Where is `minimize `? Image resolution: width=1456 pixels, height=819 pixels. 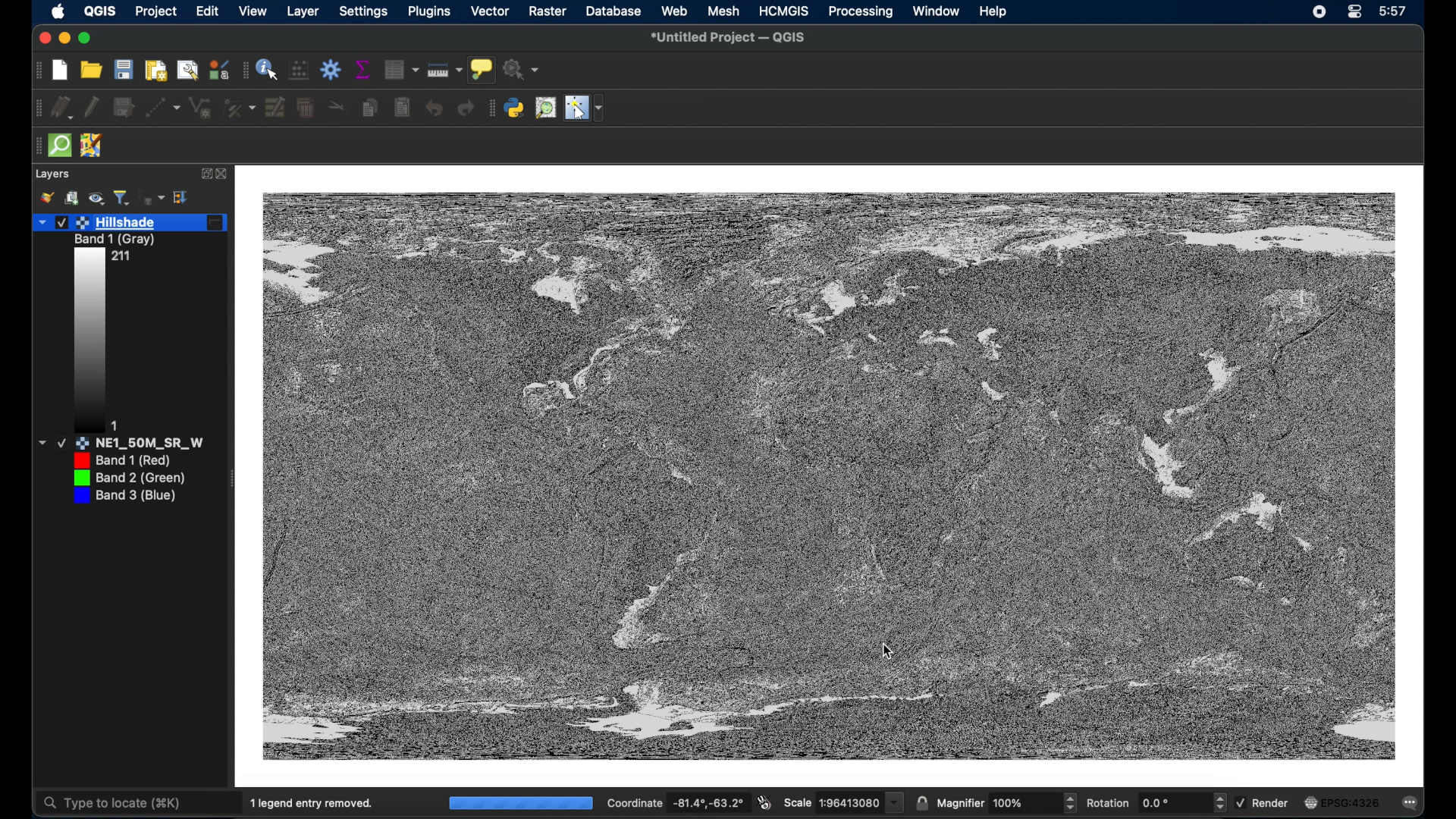 minimize  is located at coordinates (61, 39).